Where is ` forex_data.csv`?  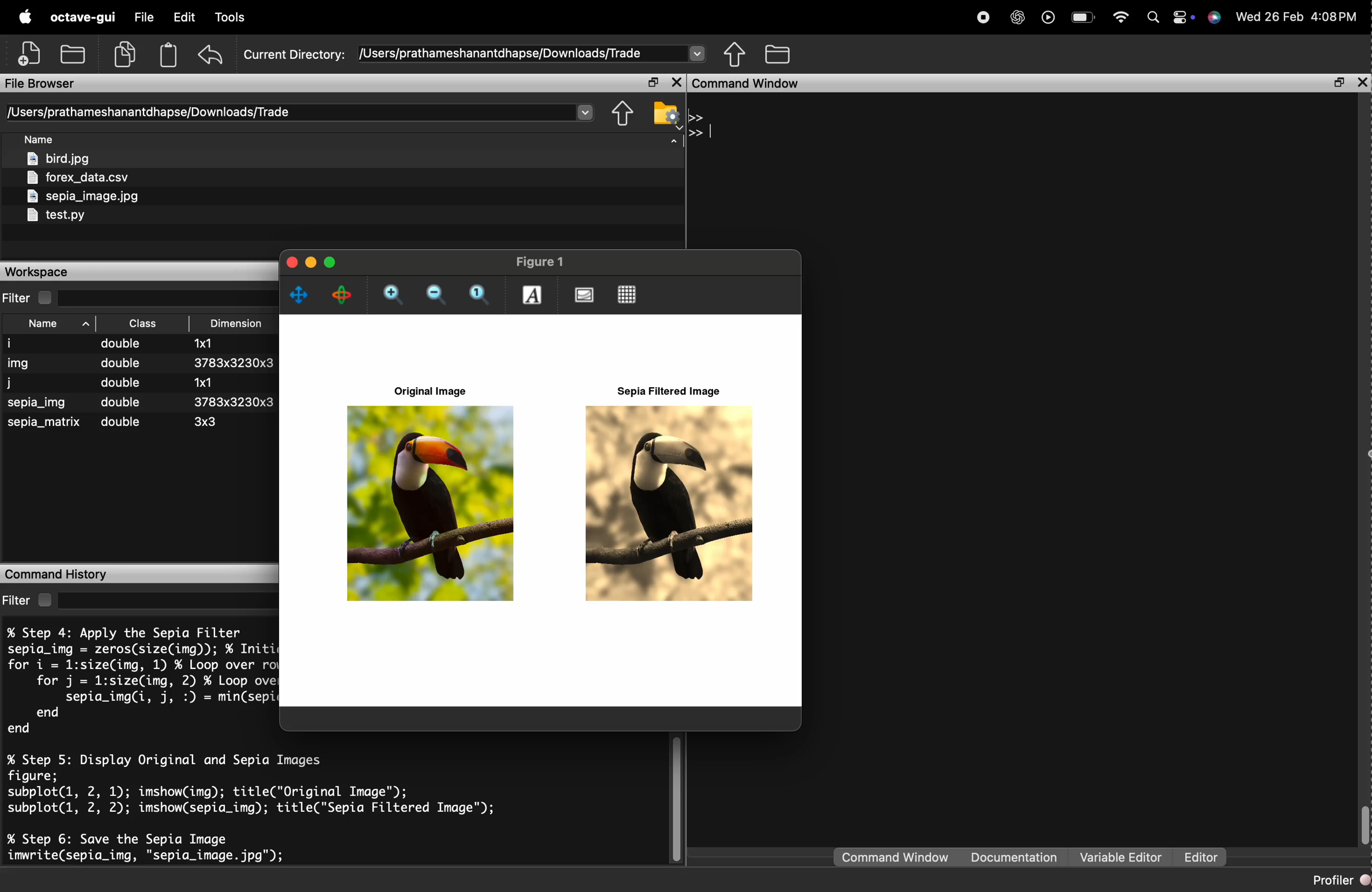  forex_data.csv is located at coordinates (77, 176).